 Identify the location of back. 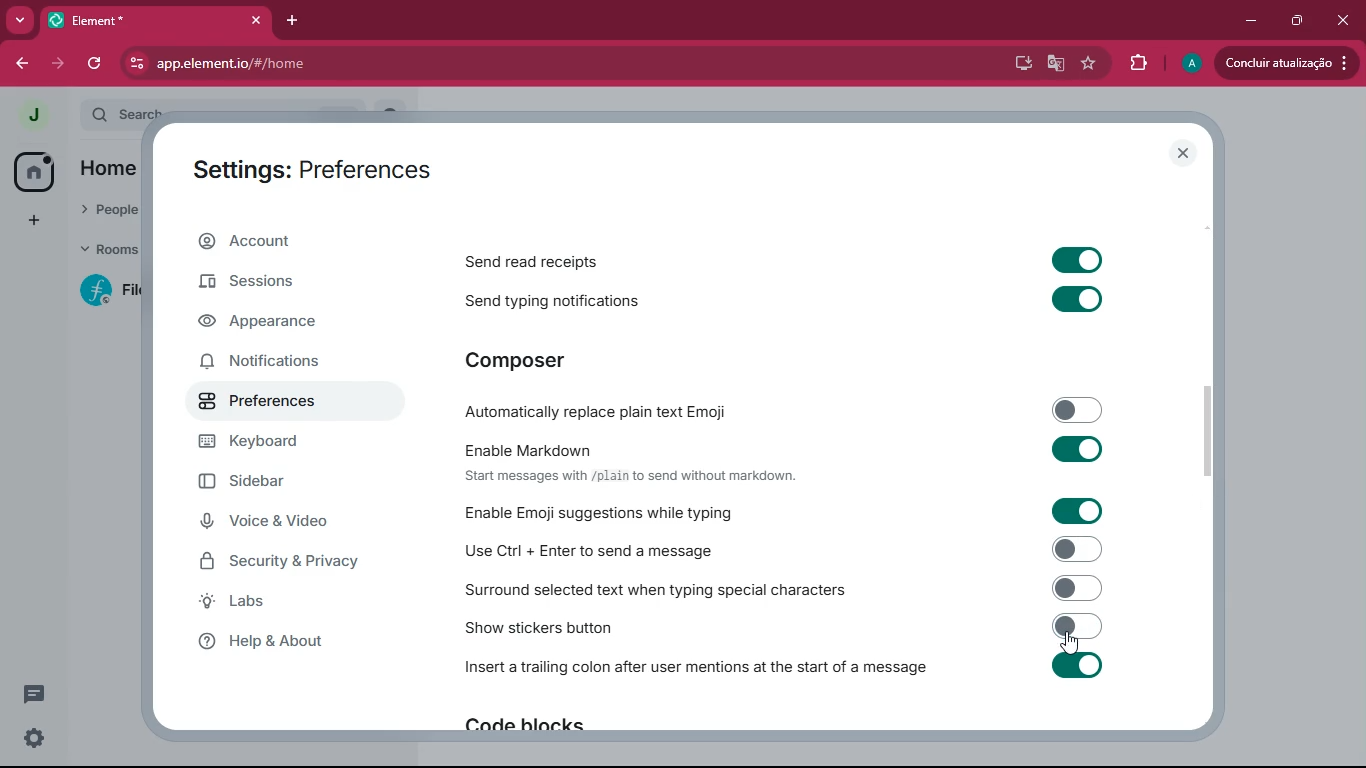
(25, 64).